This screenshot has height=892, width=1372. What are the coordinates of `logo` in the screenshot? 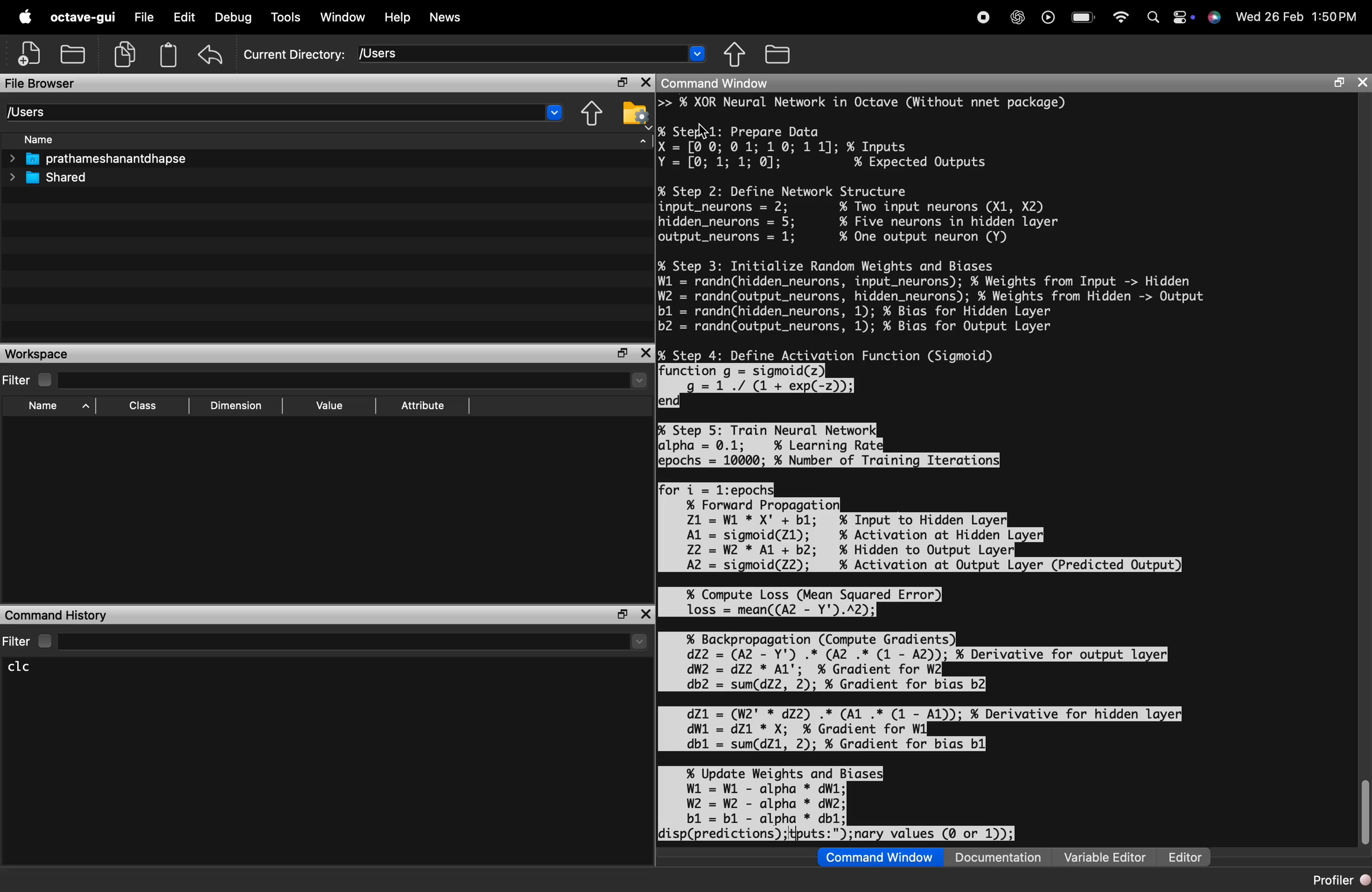 It's located at (25, 17).